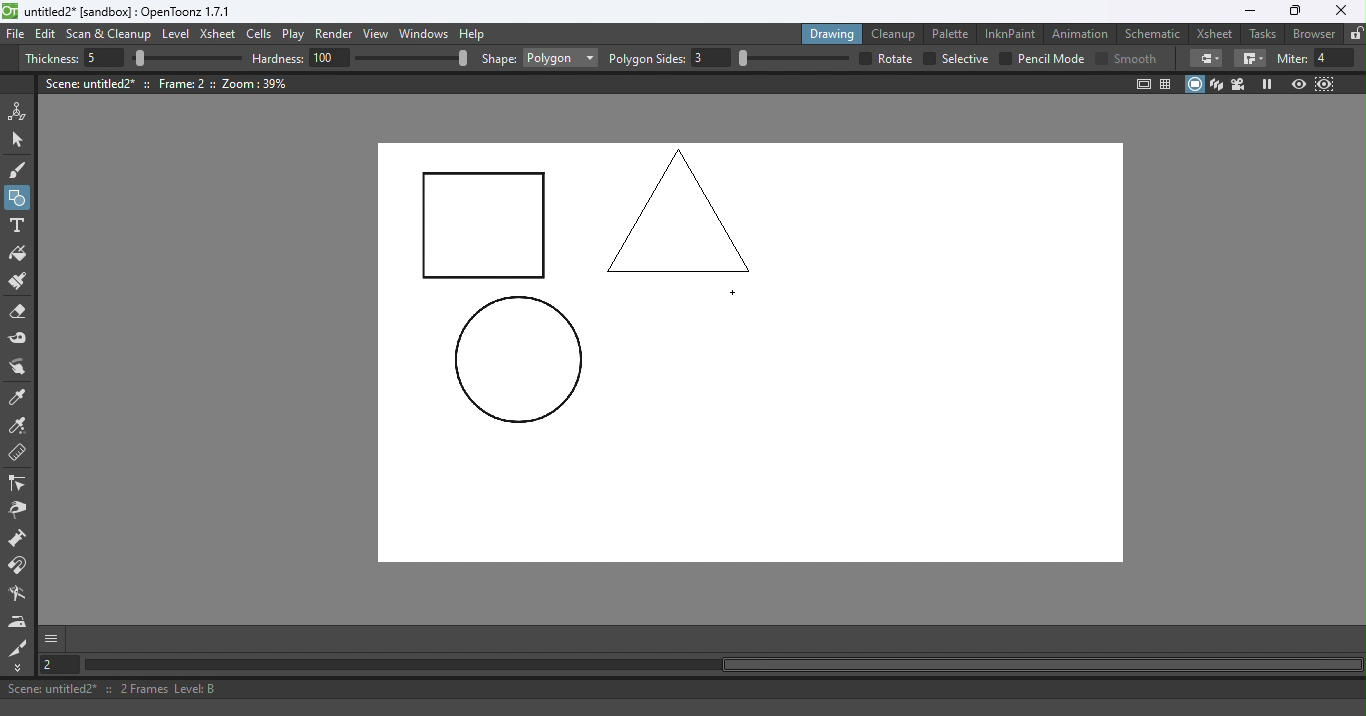 Image resolution: width=1366 pixels, height=716 pixels. What do you see at coordinates (1153, 34) in the screenshot?
I see `Schematic` at bounding box center [1153, 34].